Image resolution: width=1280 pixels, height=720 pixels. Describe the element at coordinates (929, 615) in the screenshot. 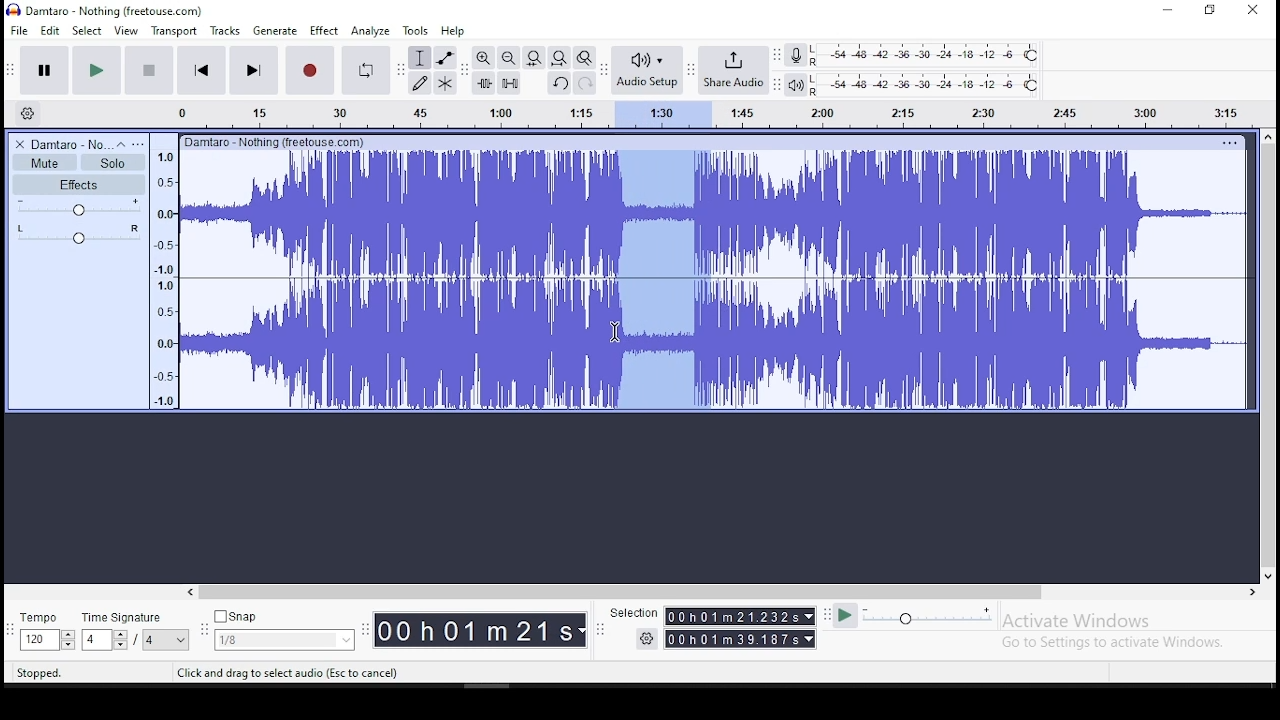

I see `playback speed` at that location.